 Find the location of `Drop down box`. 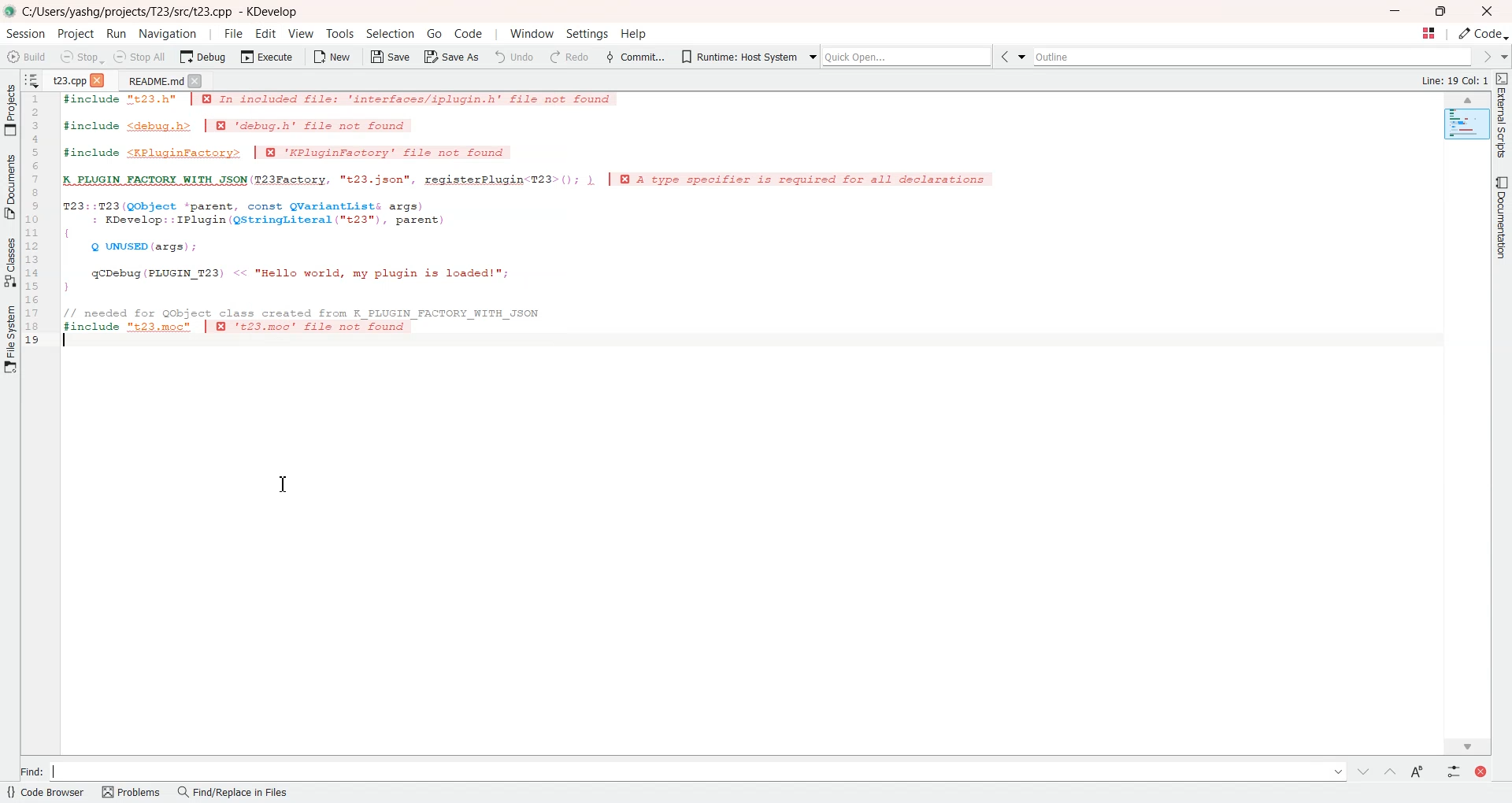

Drop down box is located at coordinates (1503, 57).